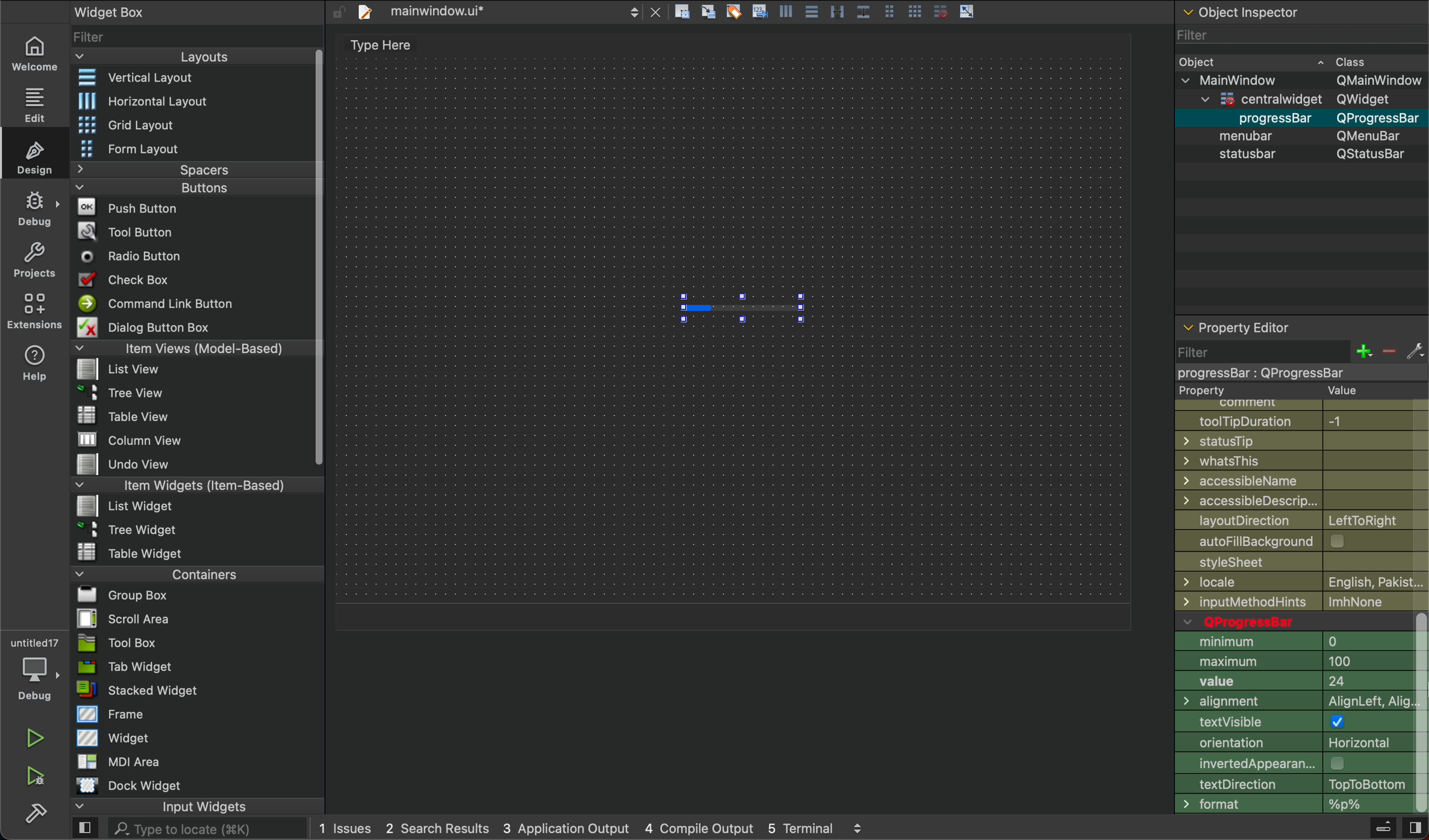  What do you see at coordinates (37, 776) in the screenshot?
I see `run and debug` at bounding box center [37, 776].